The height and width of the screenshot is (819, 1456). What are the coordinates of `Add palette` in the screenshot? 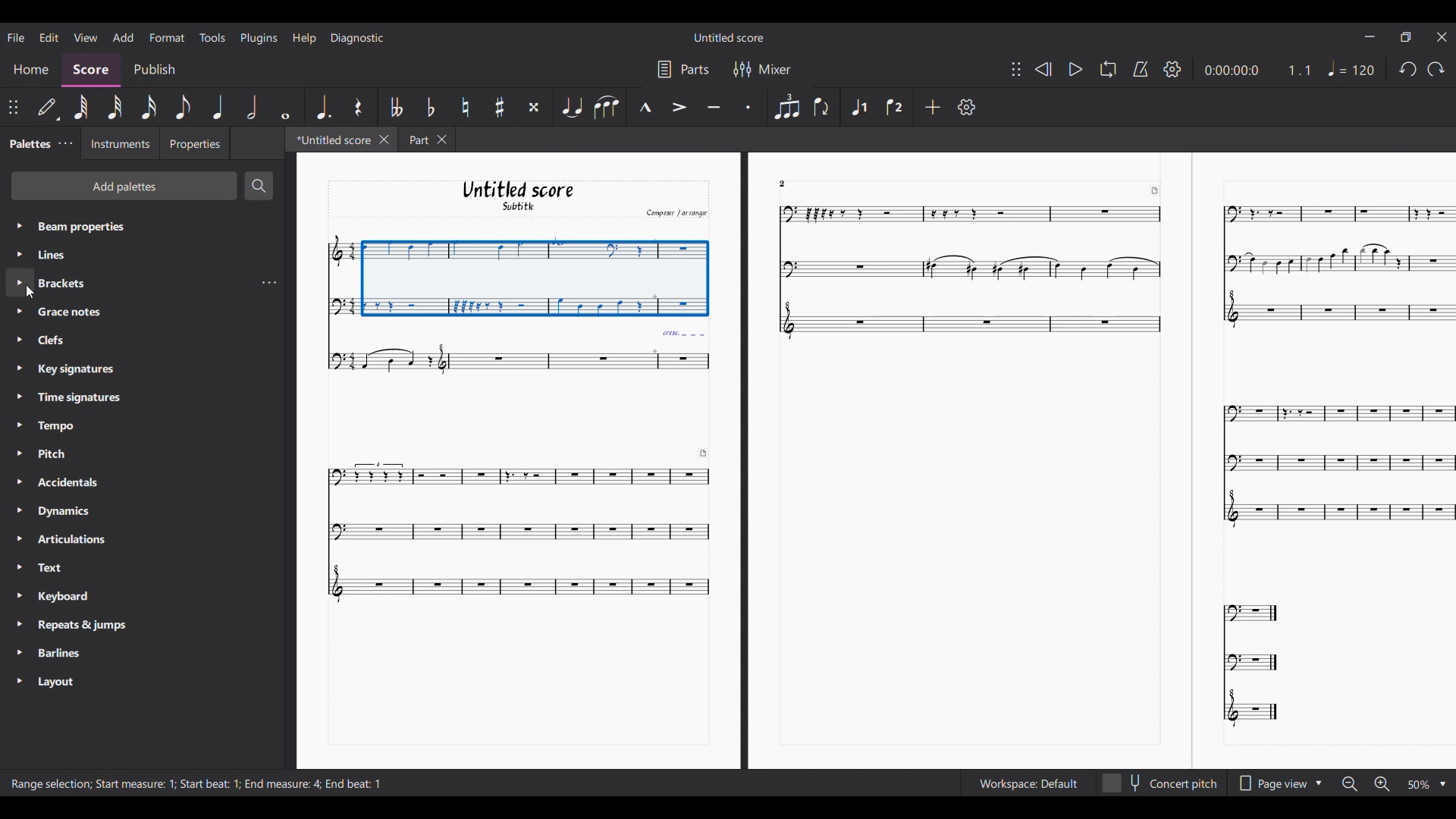 It's located at (124, 185).